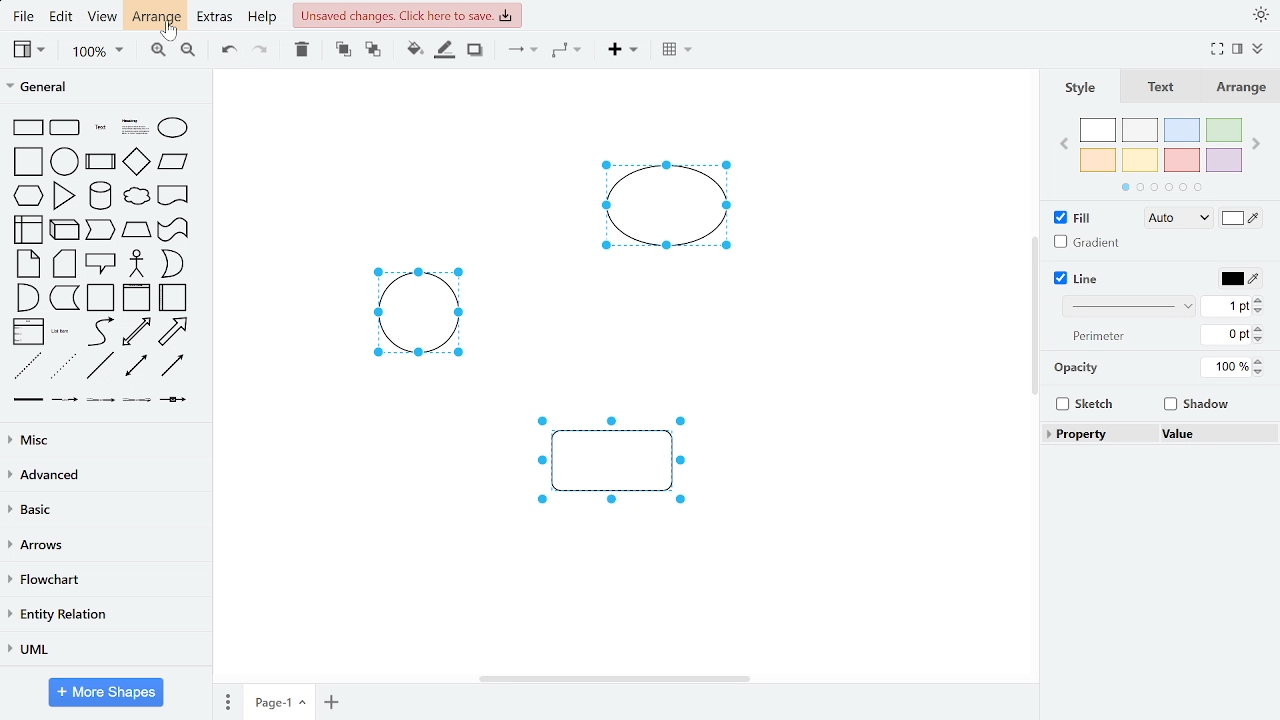 The height and width of the screenshot is (720, 1280). Describe the element at coordinates (1222, 131) in the screenshot. I see `green` at that location.